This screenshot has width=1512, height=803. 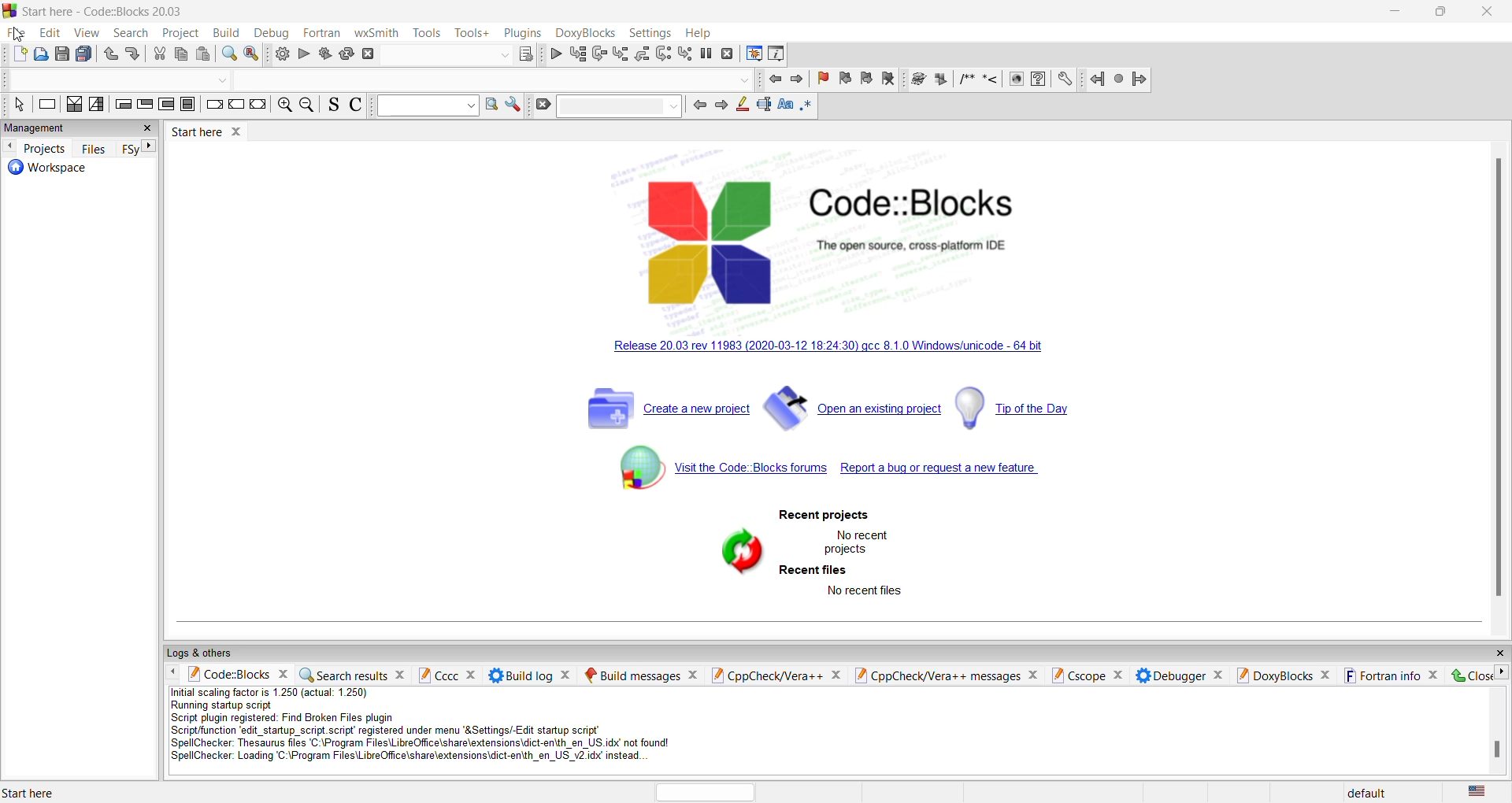 What do you see at coordinates (1472, 676) in the screenshot?
I see `close` at bounding box center [1472, 676].